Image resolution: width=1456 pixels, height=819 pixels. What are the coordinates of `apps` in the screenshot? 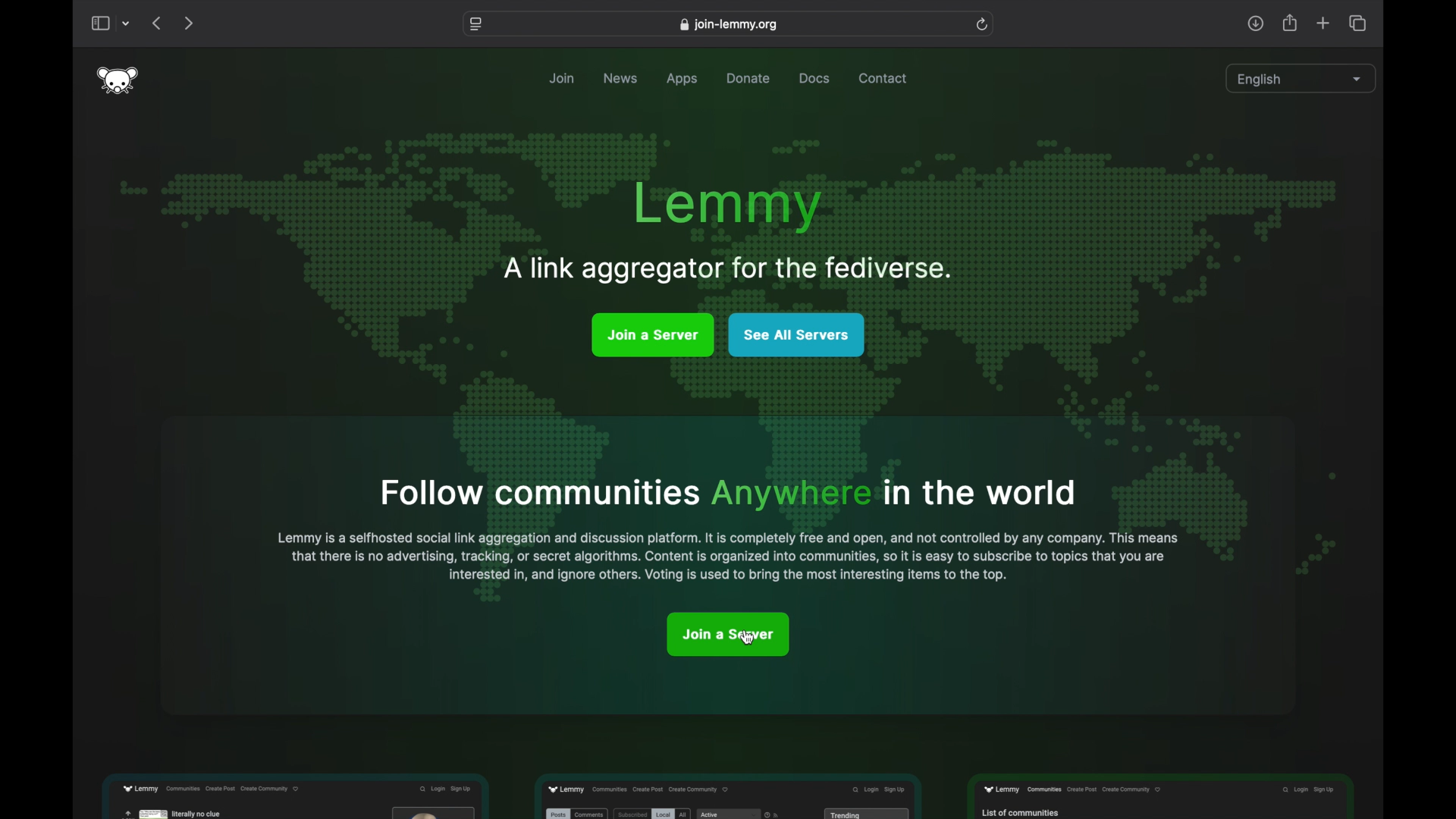 It's located at (682, 80).